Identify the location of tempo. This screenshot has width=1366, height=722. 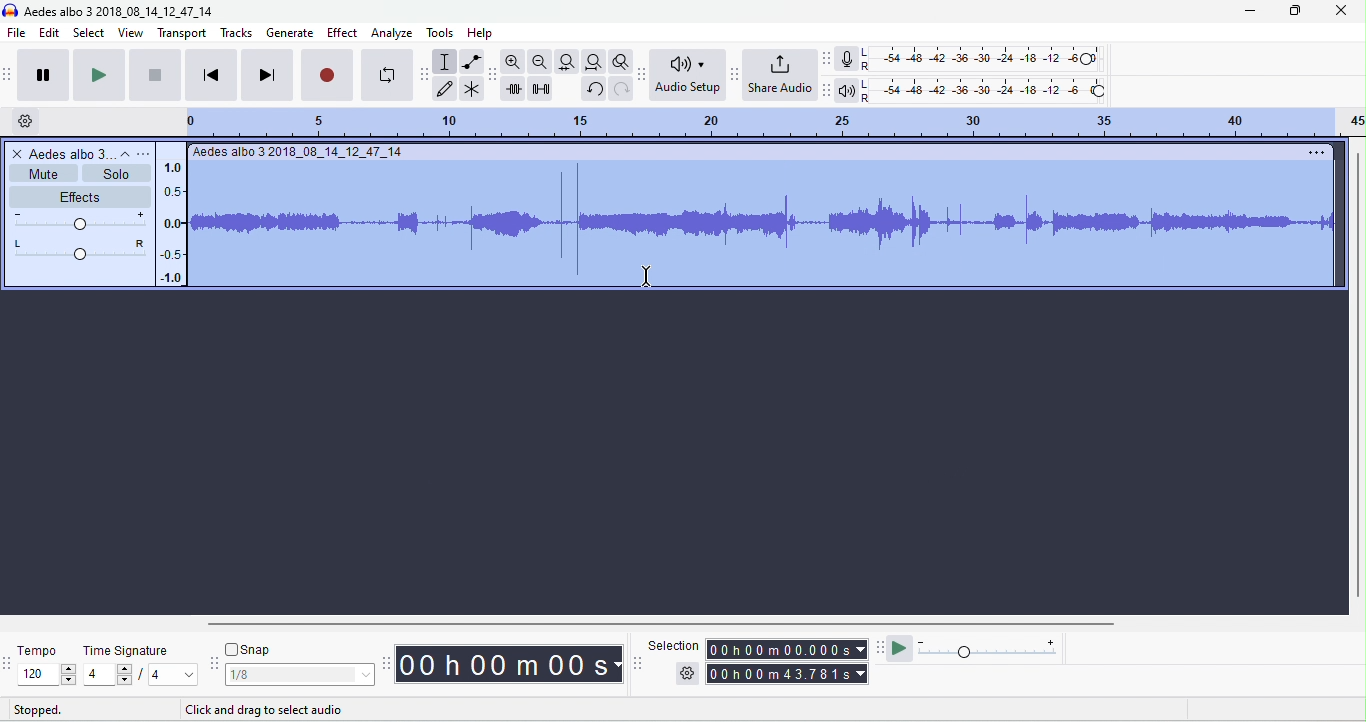
(38, 649).